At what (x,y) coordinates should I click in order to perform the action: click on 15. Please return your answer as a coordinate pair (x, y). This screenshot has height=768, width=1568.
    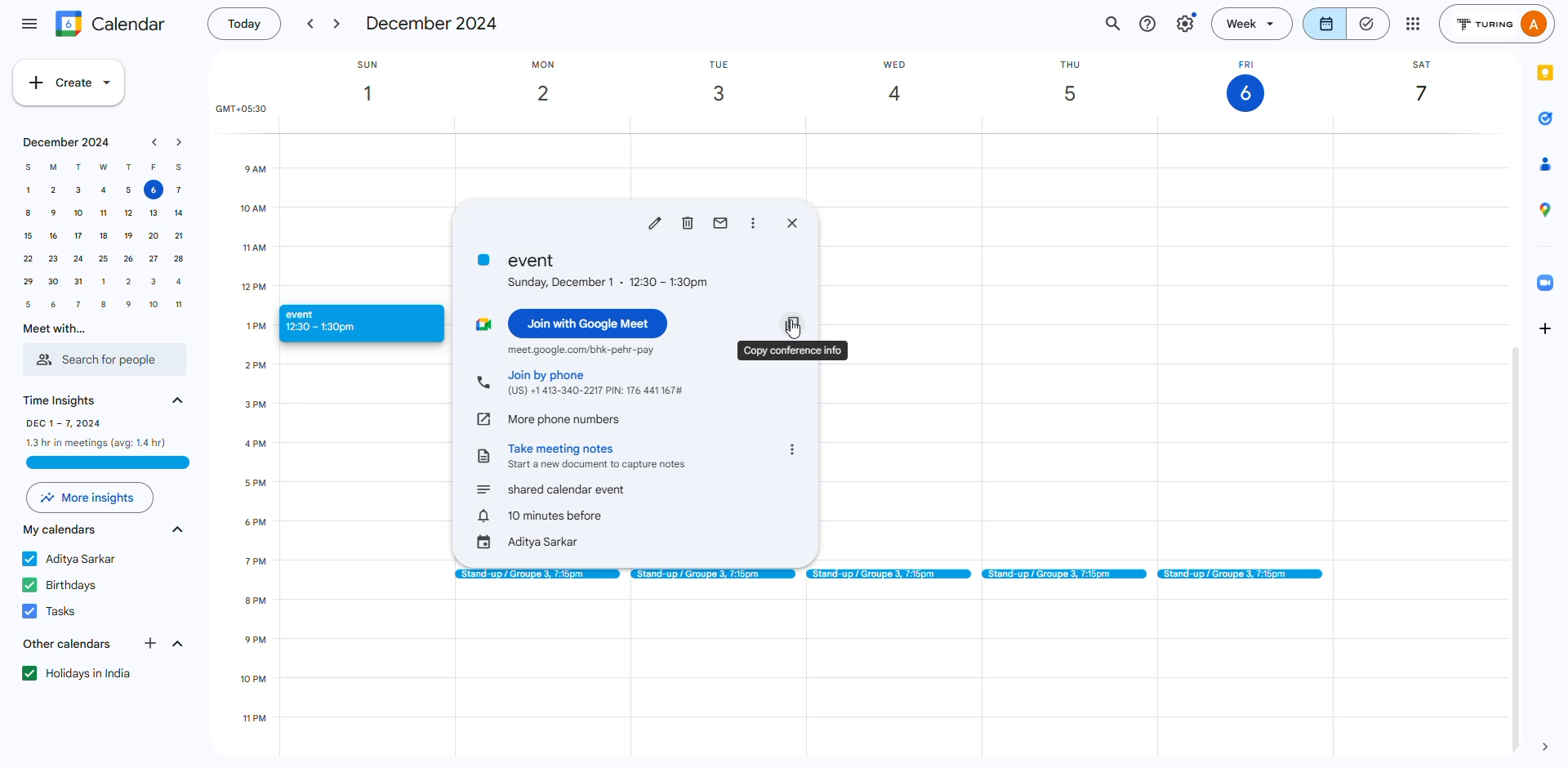
    Looking at the image, I should click on (28, 237).